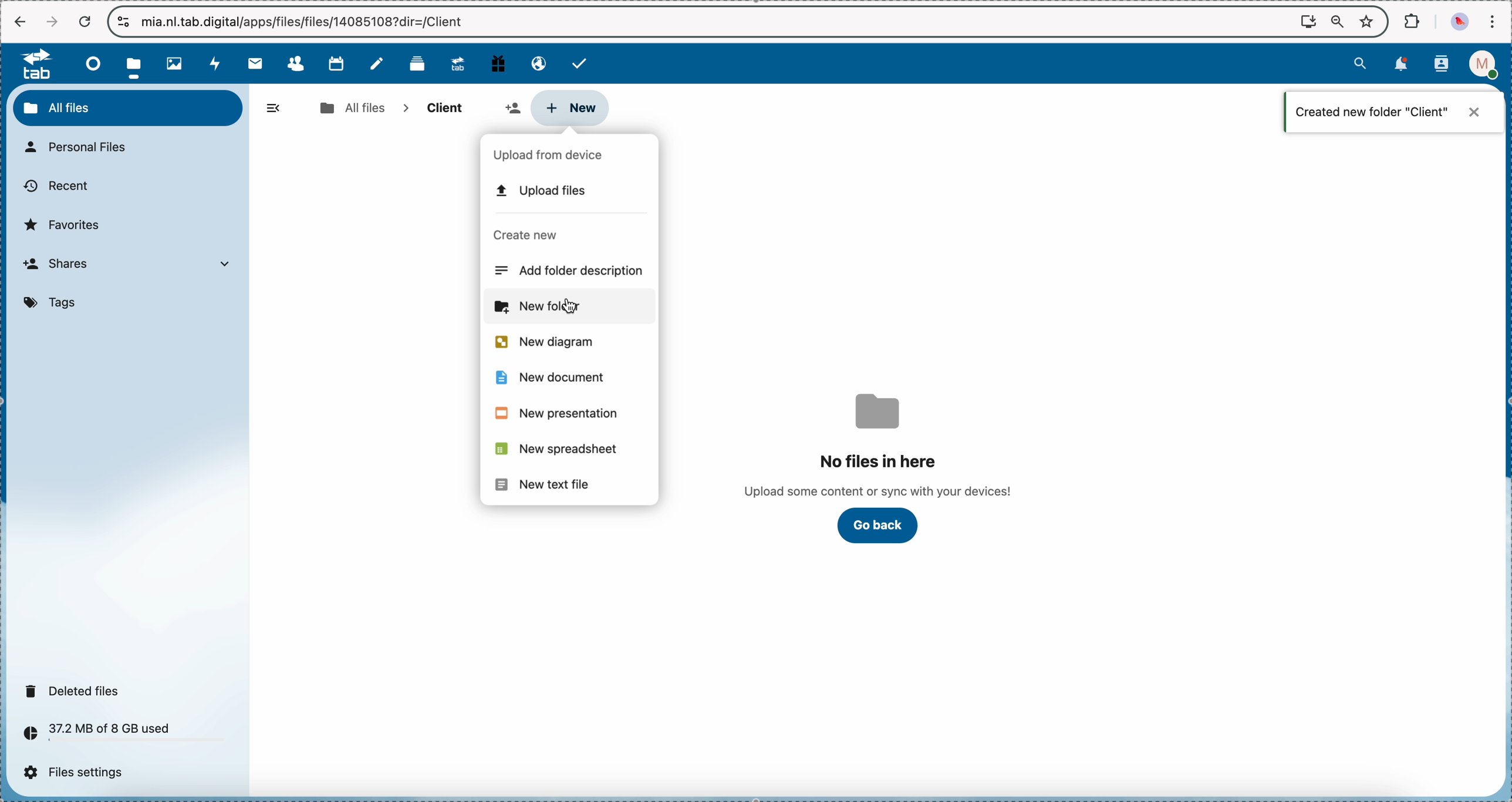 The width and height of the screenshot is (1512, 802). I want to click on personal files, so click(82, 148).